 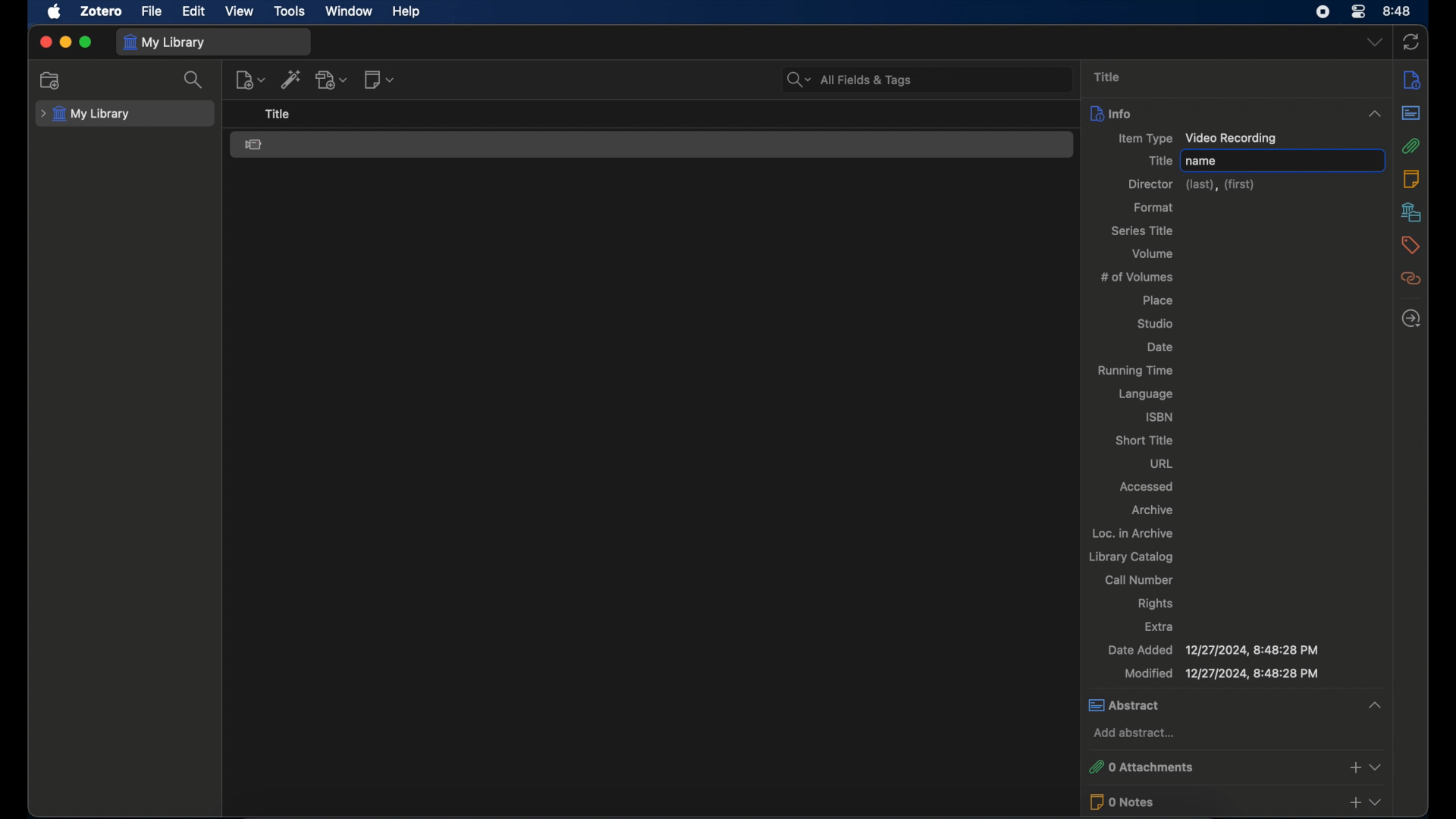 I want to click on notes, so click(x=1410, y=178).